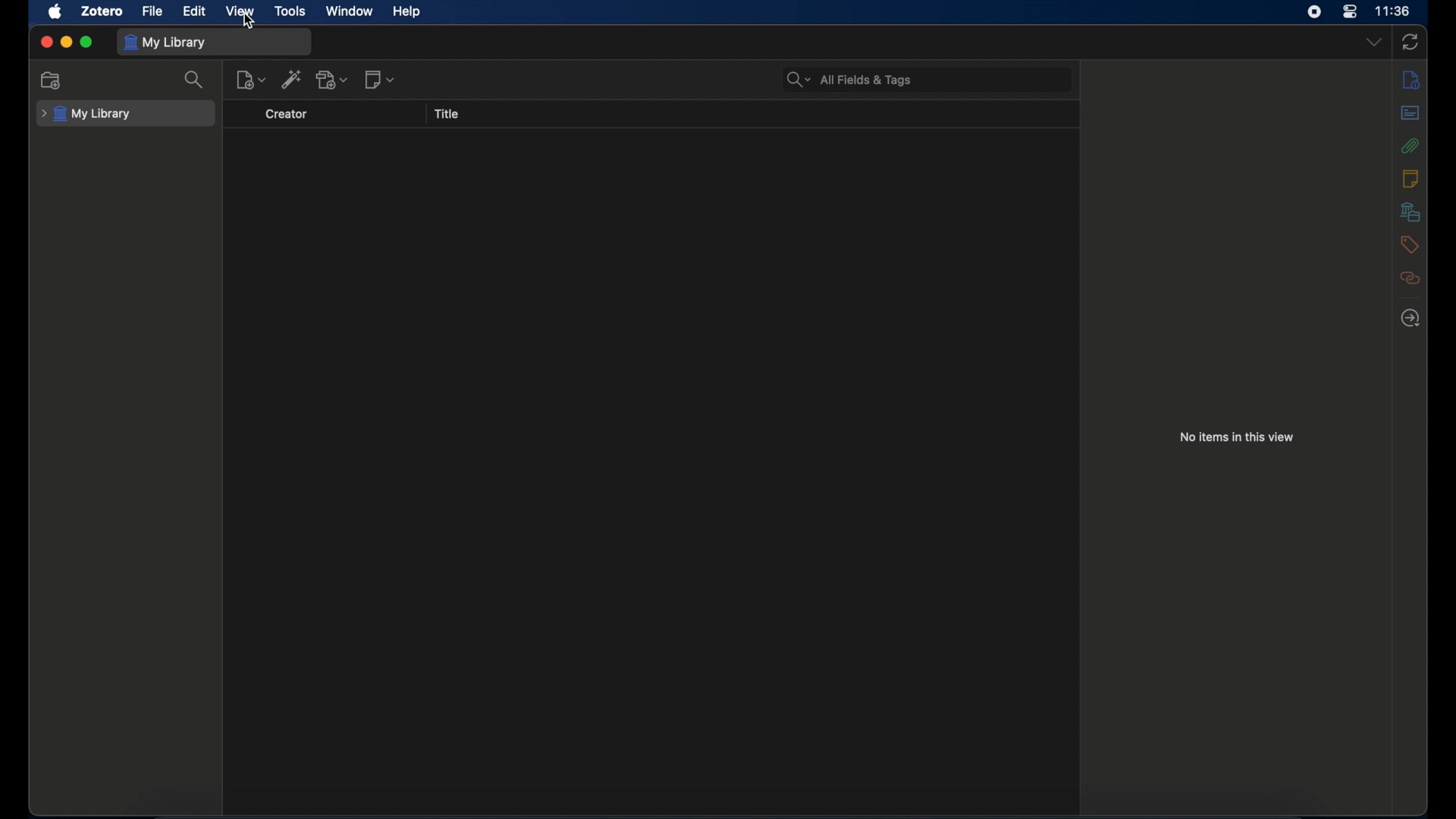 The height and width of the screenshot is (819, 1456). Describe the element at coordinates (1410, 113) in the screenshot. I see `abstract` at that location.